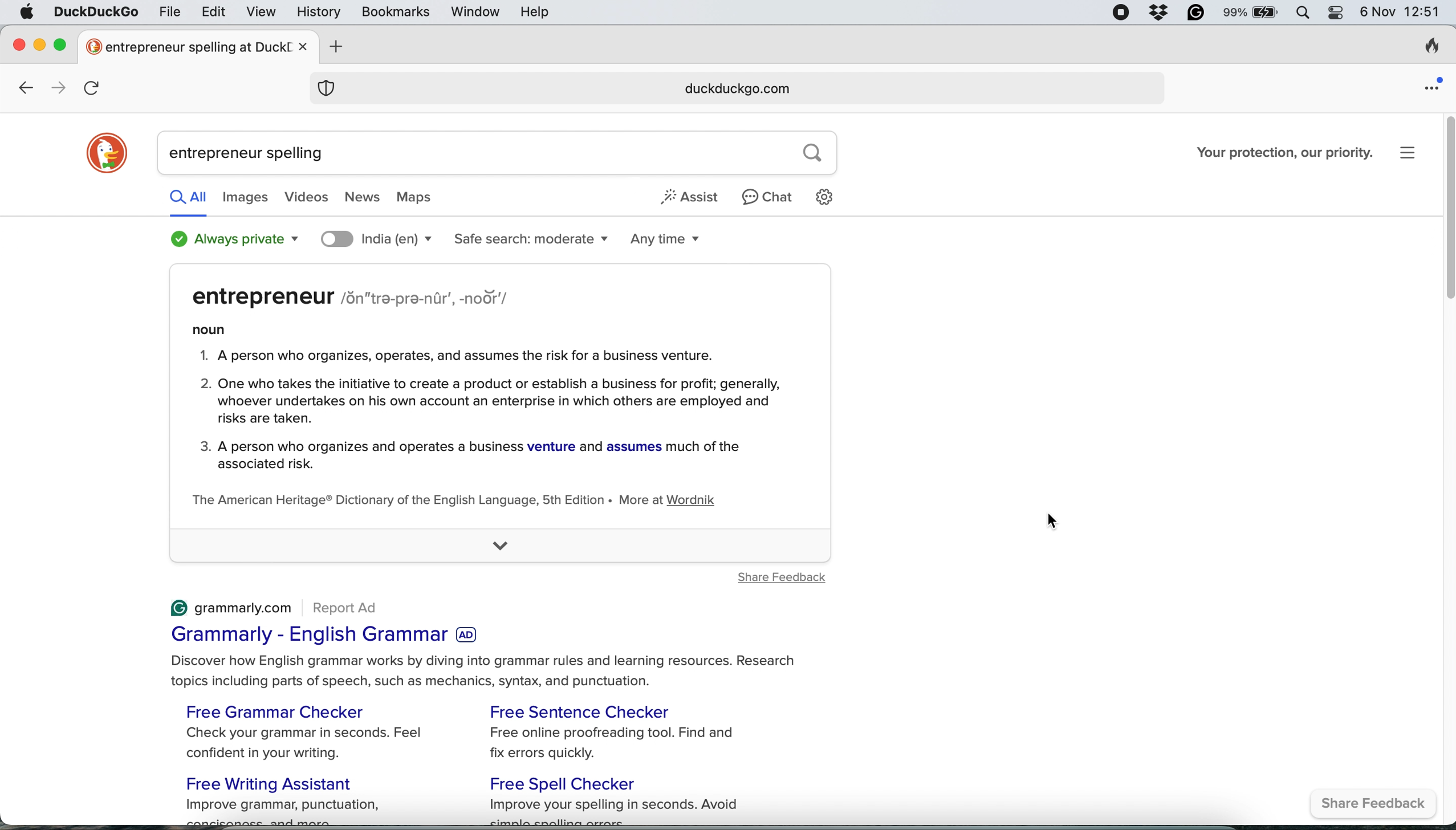 The image size is (1456, 830). I want to click on share feedback, so click(779, 577).